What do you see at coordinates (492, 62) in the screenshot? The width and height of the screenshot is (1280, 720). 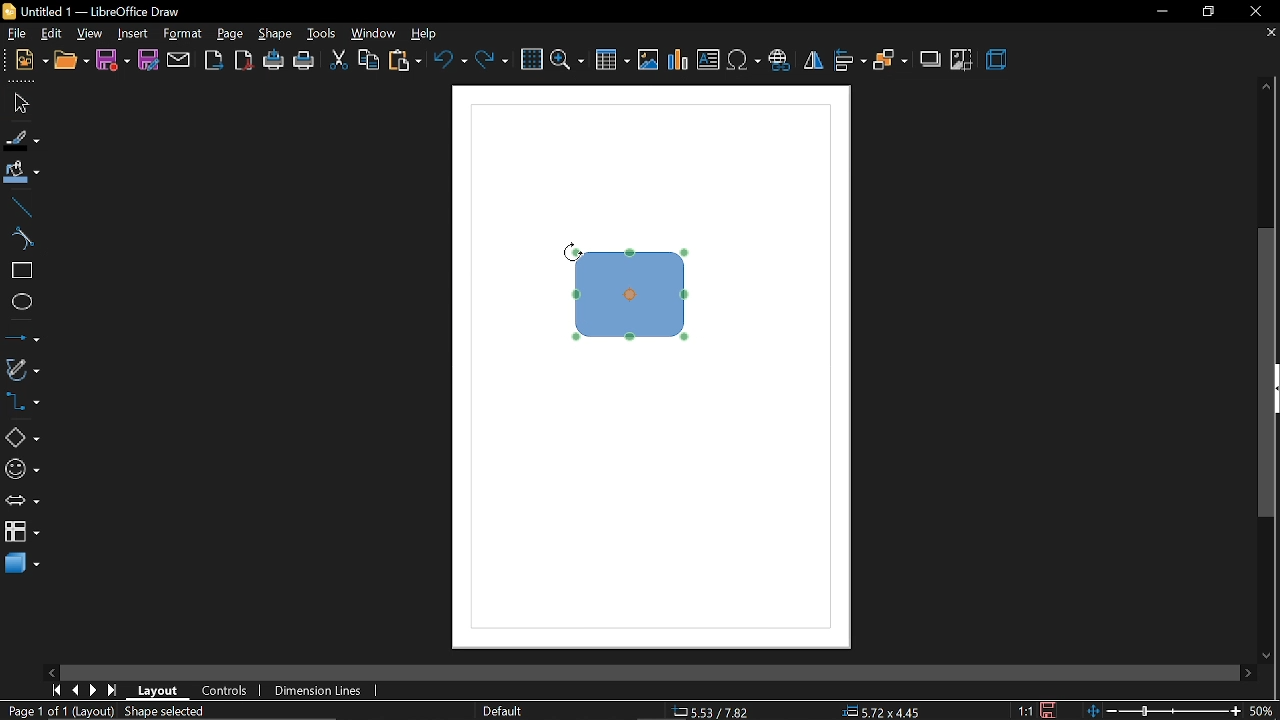 I see `redo` at bounding box center [492, 62].